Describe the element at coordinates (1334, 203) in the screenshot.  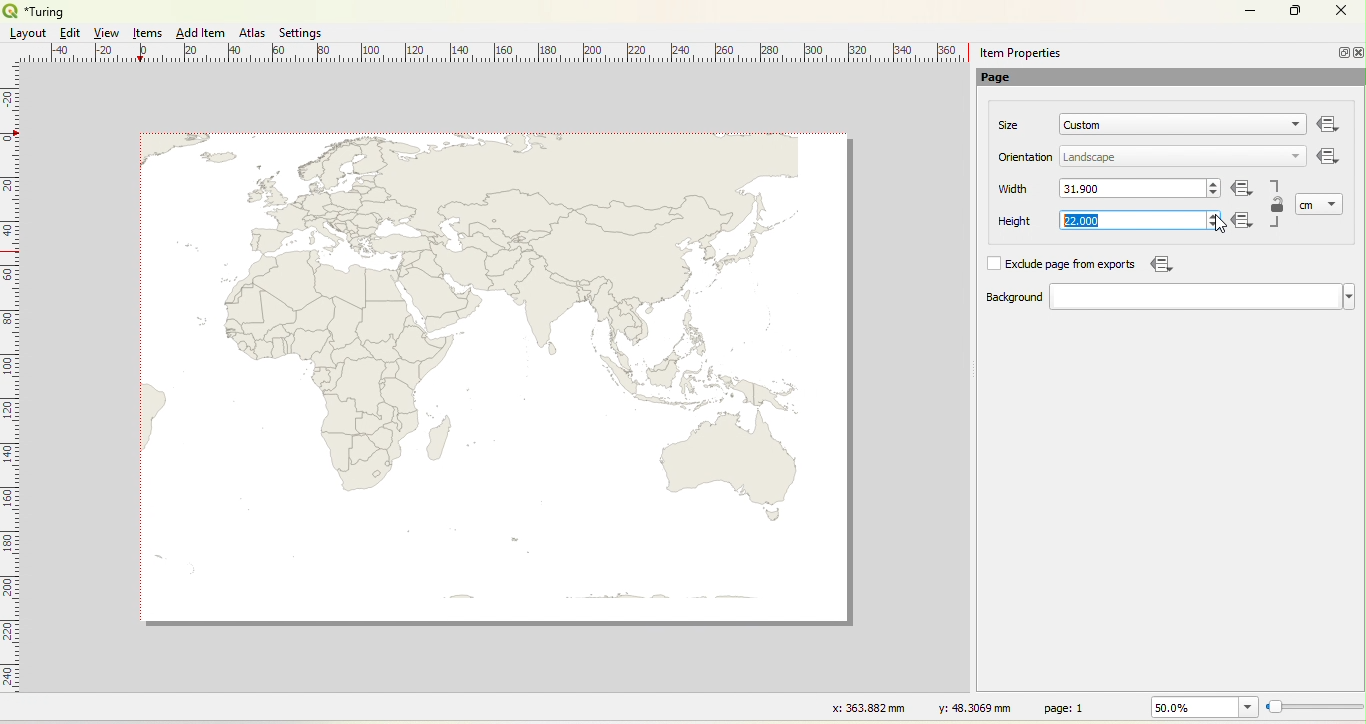
I see `dropdown` at that location.